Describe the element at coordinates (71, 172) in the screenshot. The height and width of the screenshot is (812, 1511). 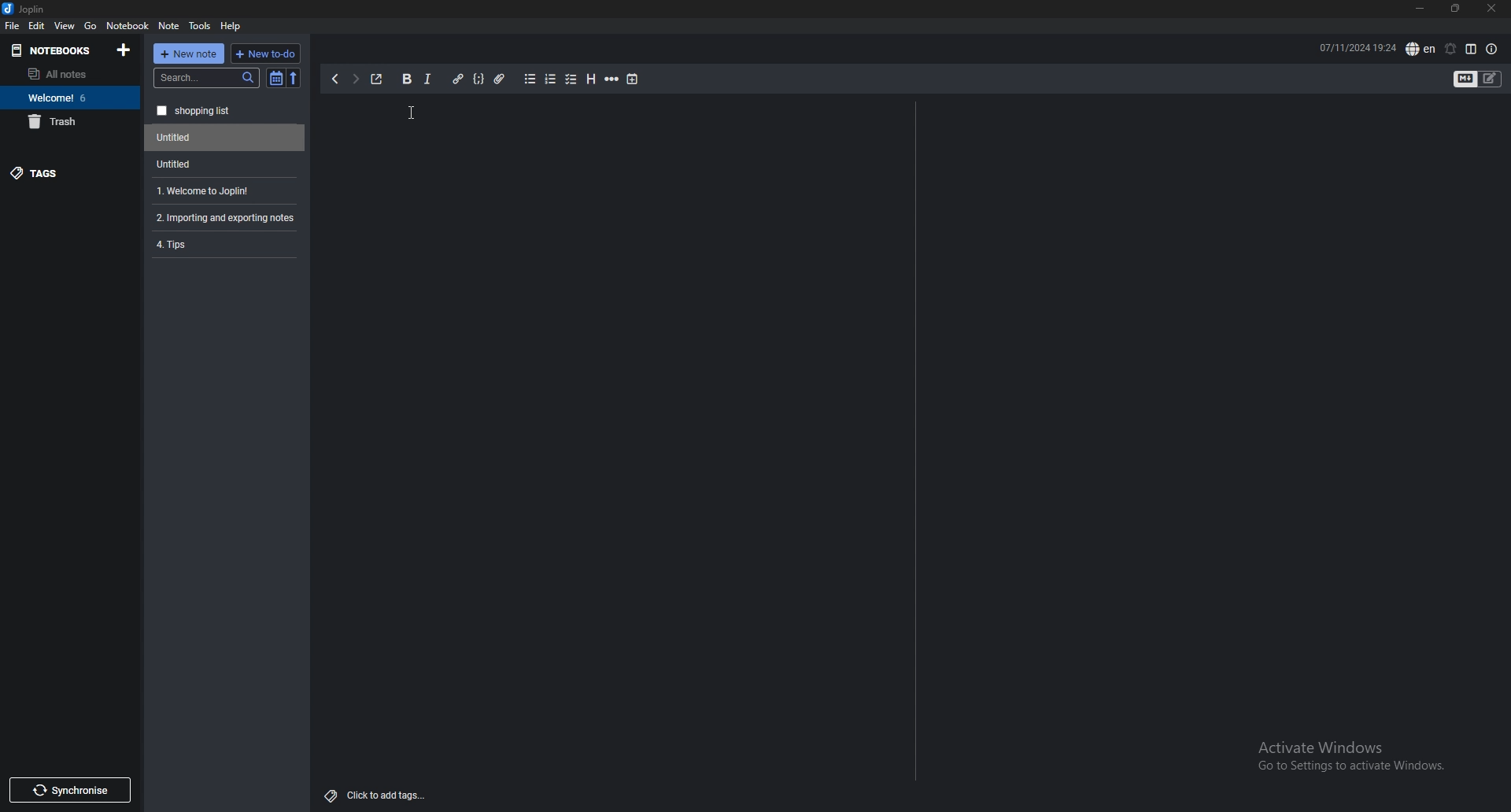
I see `tags` at that location.